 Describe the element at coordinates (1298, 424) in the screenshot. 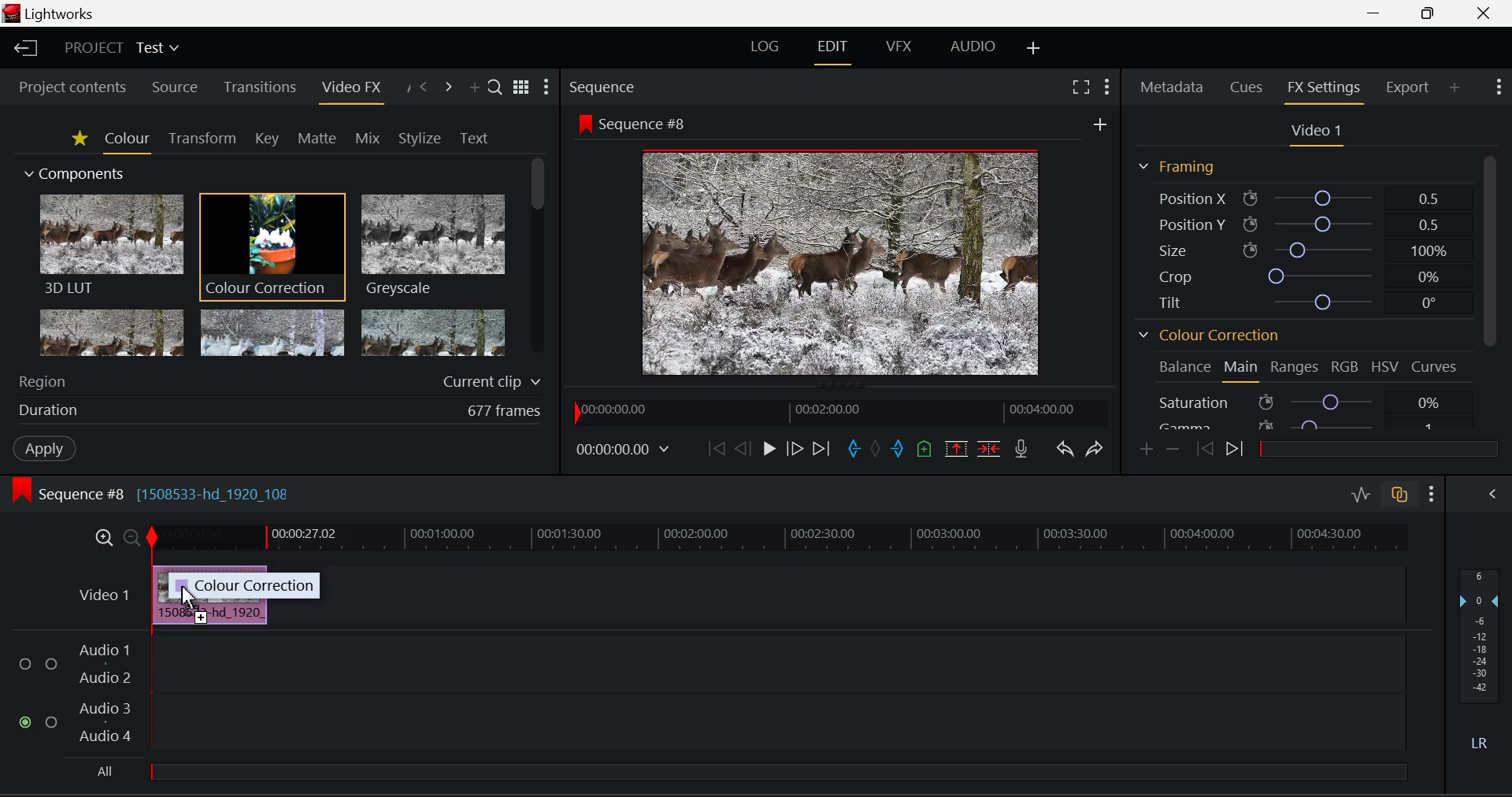

I see `Gamma` at that location.